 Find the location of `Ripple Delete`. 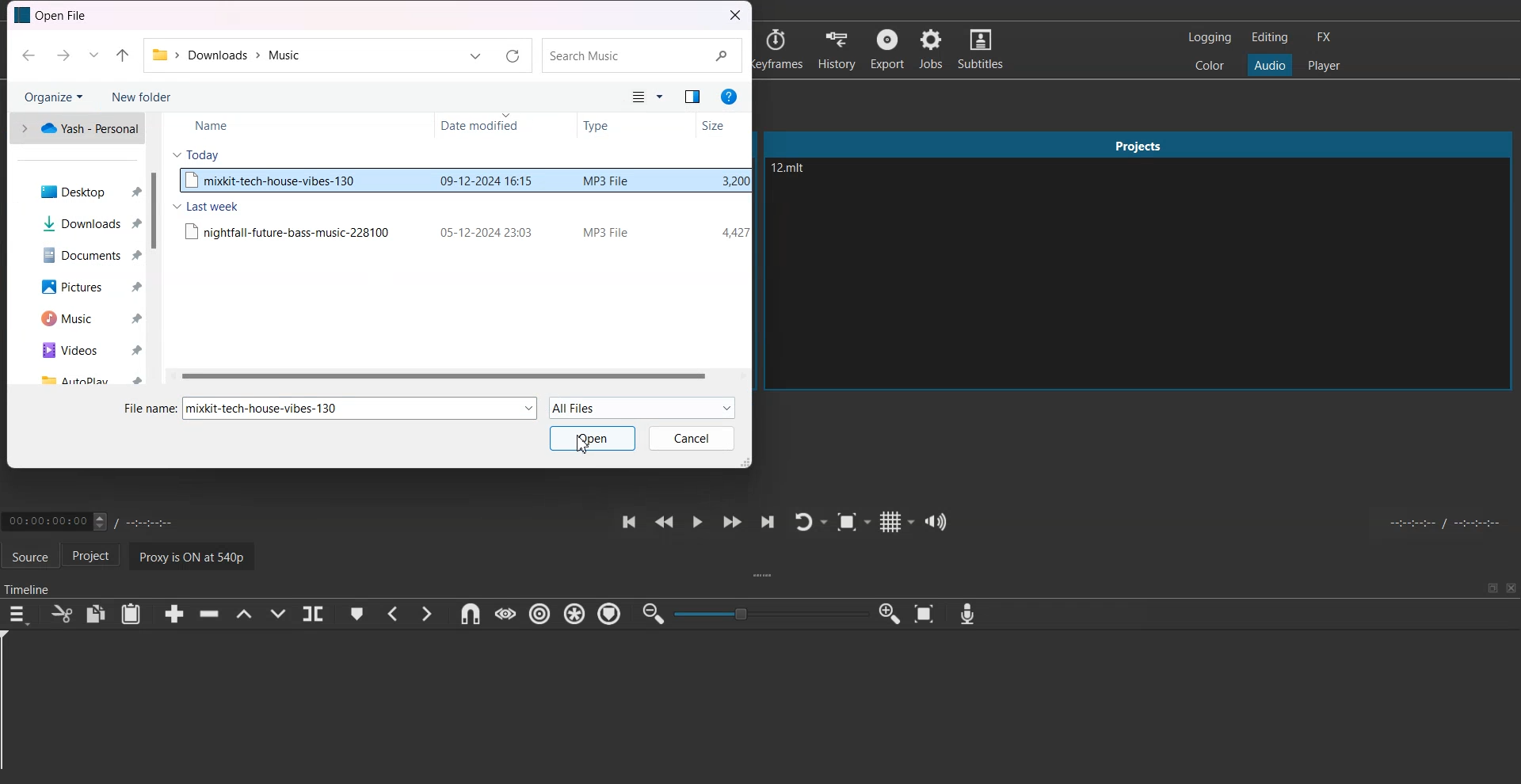

Ripple Delete is located at coordinates (205, 615).